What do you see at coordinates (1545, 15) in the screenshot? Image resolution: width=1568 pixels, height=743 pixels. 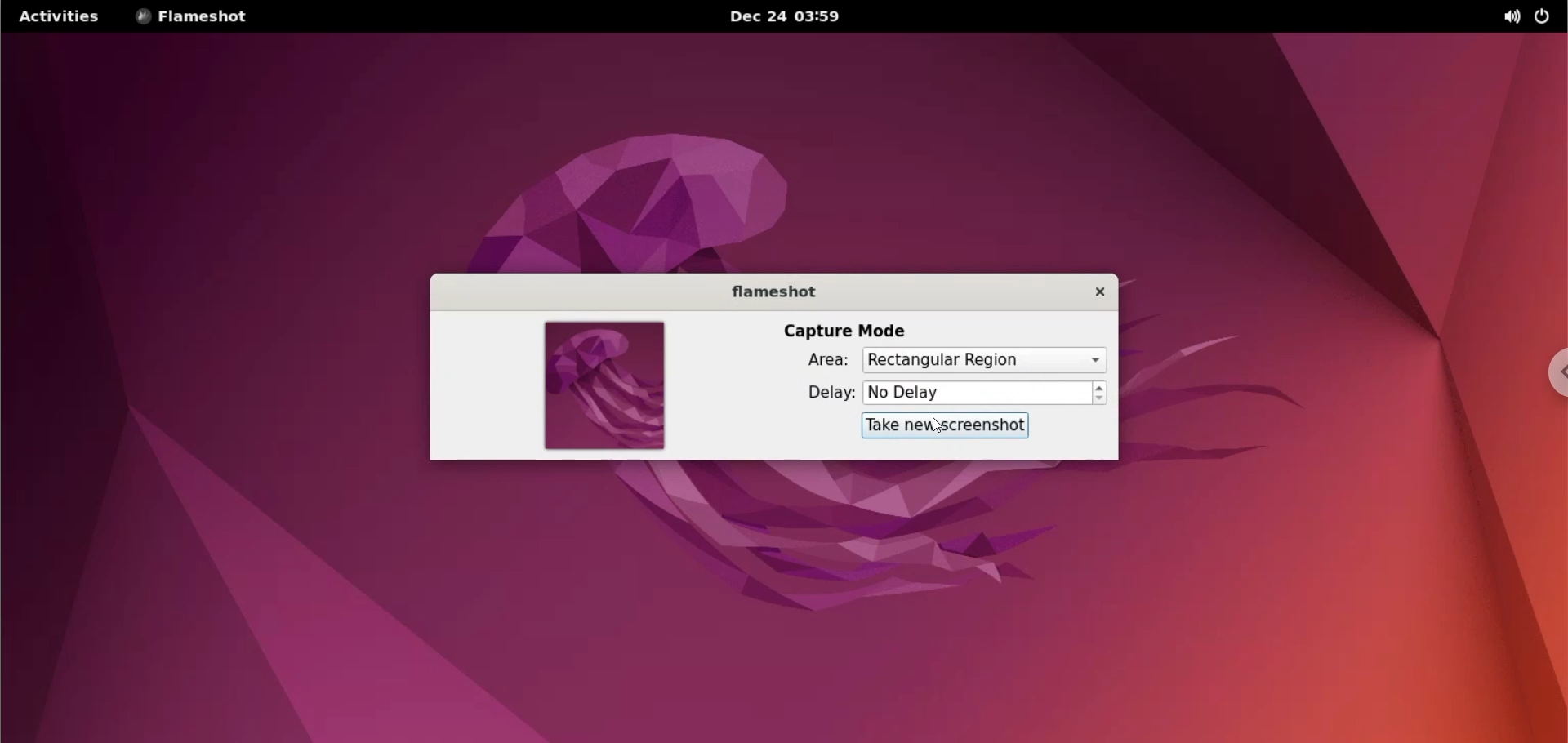 I see `power options ` at bounding box center [1545, 15].